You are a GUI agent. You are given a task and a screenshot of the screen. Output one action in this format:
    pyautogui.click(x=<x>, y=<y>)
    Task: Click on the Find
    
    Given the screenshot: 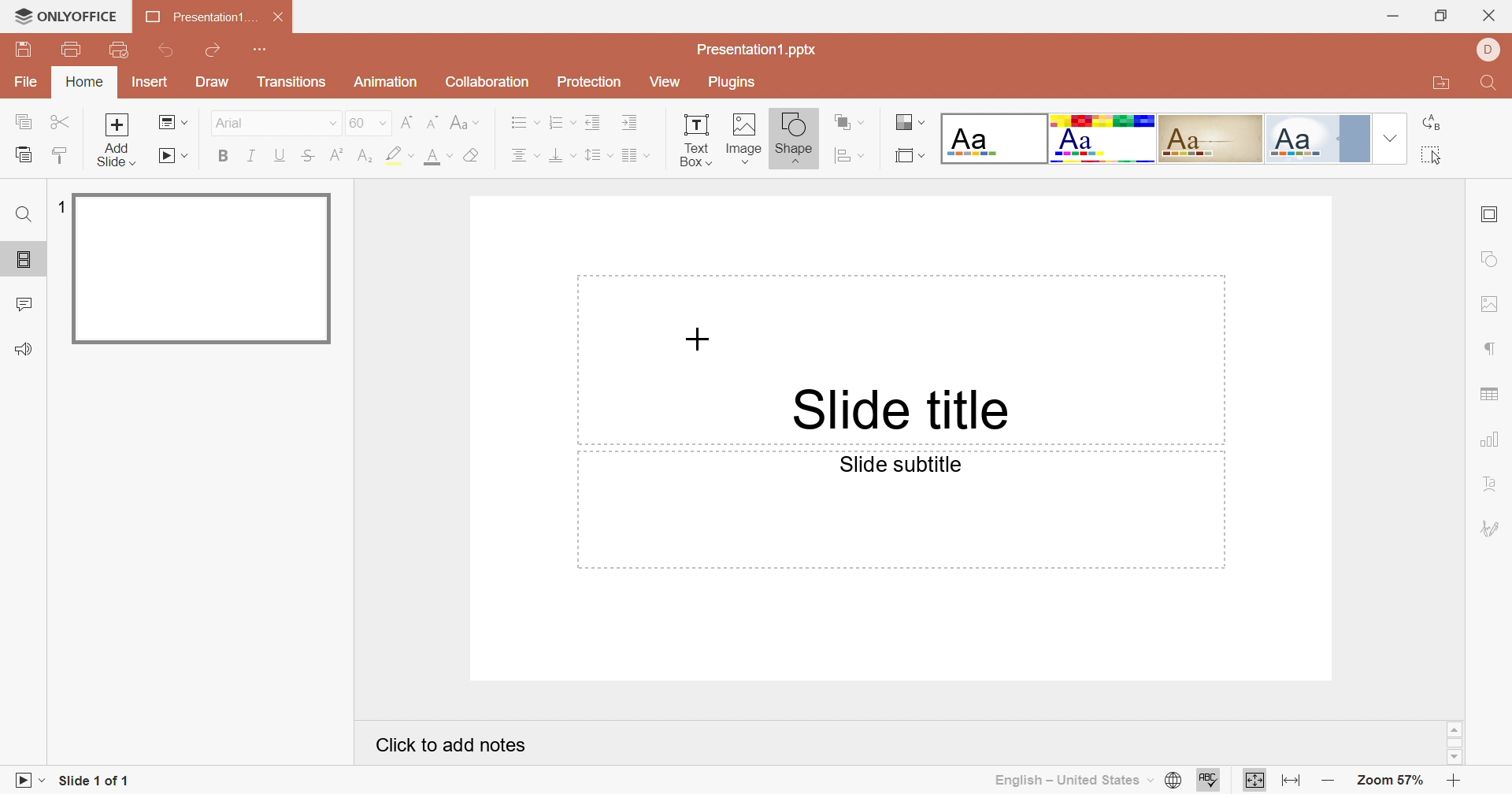 What is the action you would take?
    pyautogui.click(x=26, y=214)
    